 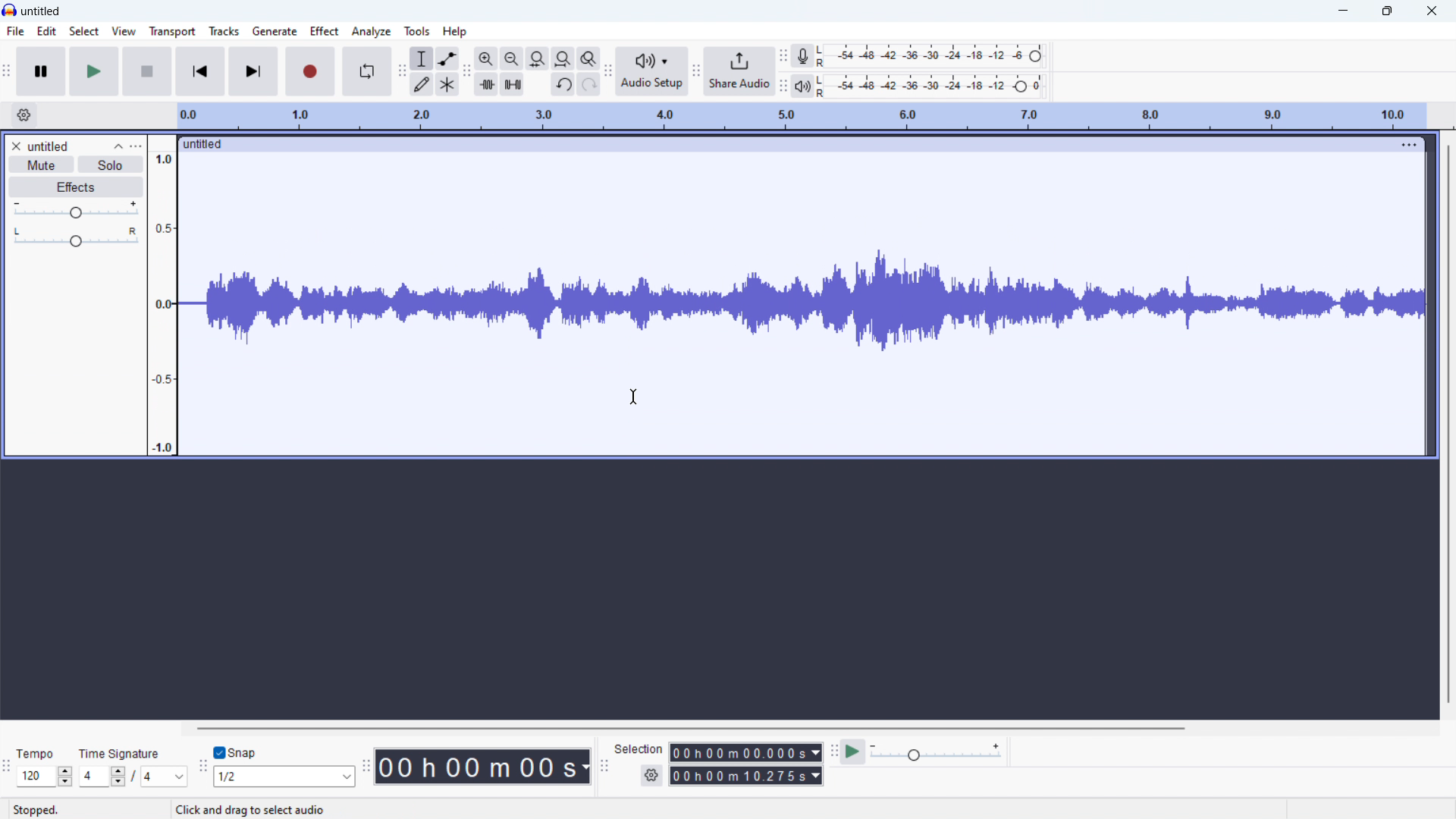 What do you see at coordinates (1340, 11) in the screenshot?
I see `minimize` at bounding box center [1340, 11].